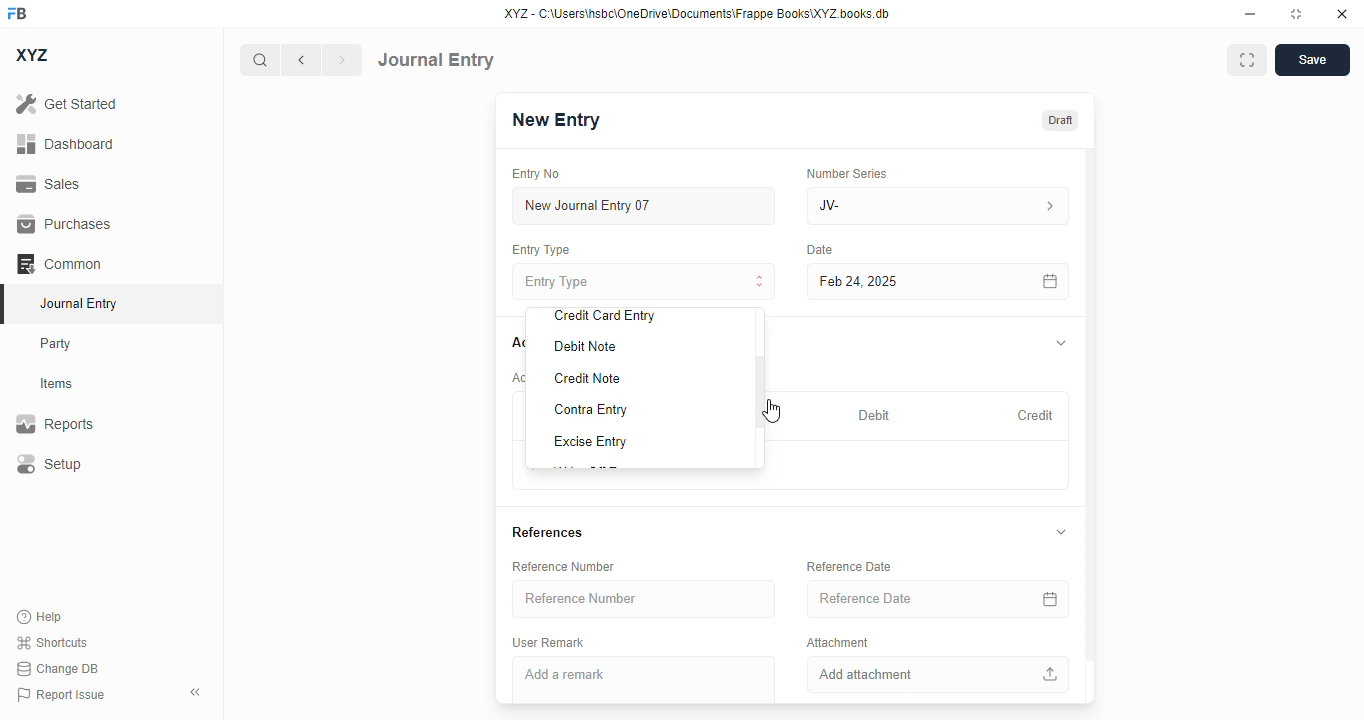 Image resolution: width=1364 pixels, height=720 pixels. Describe the element at coordinates (1063, 532) in the screenshot. I see `toggle expand/collapse` at that location.